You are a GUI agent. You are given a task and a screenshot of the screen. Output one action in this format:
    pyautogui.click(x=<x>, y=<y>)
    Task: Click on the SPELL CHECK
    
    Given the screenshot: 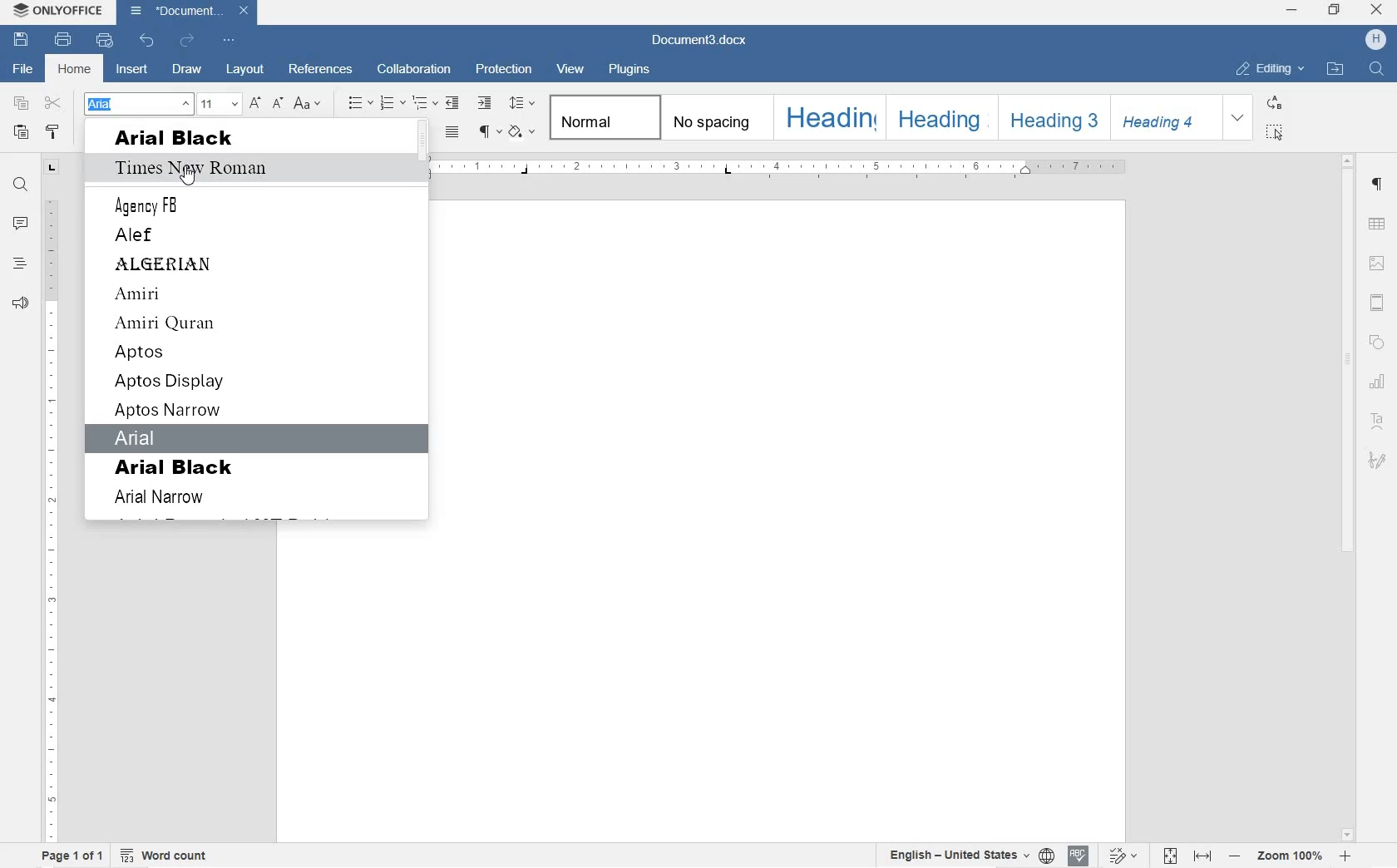 What is the action you would take?
    pyautogui.click(x=1079, y=856)
    